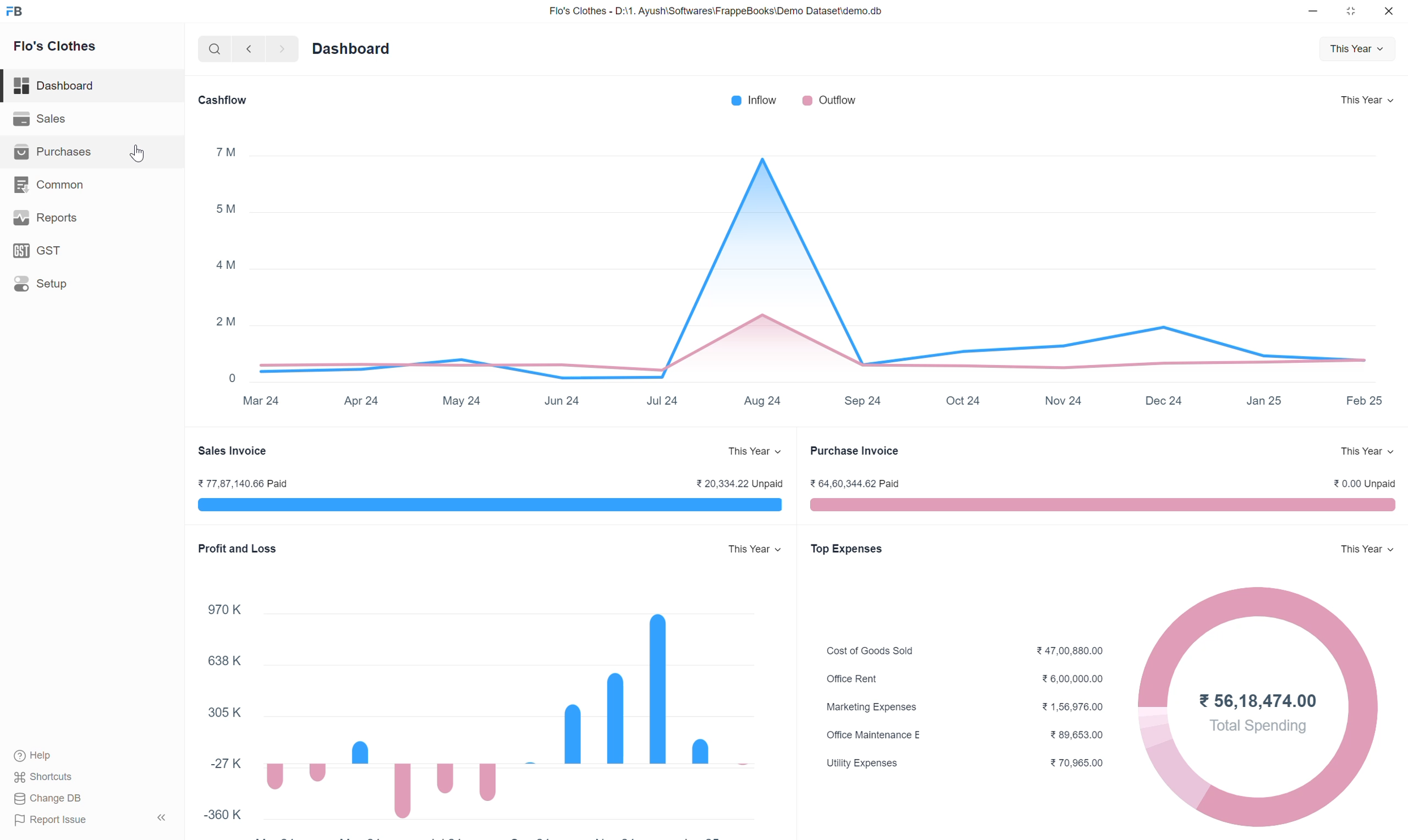  Describe the element at coordinates (1163, 400) in the screenshot. I see `Dec 24` at that location.